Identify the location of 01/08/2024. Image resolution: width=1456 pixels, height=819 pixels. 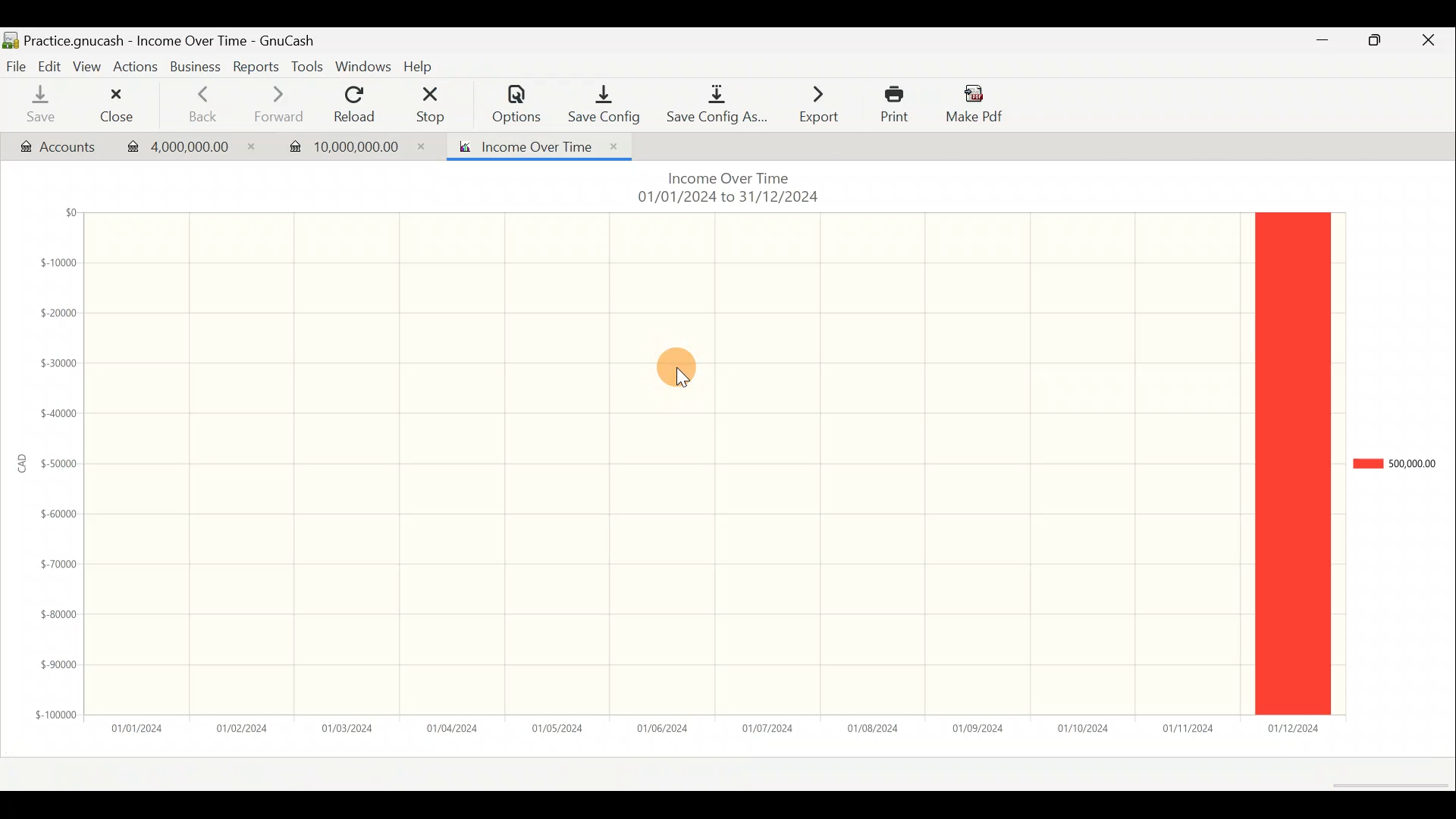
(874, 726).